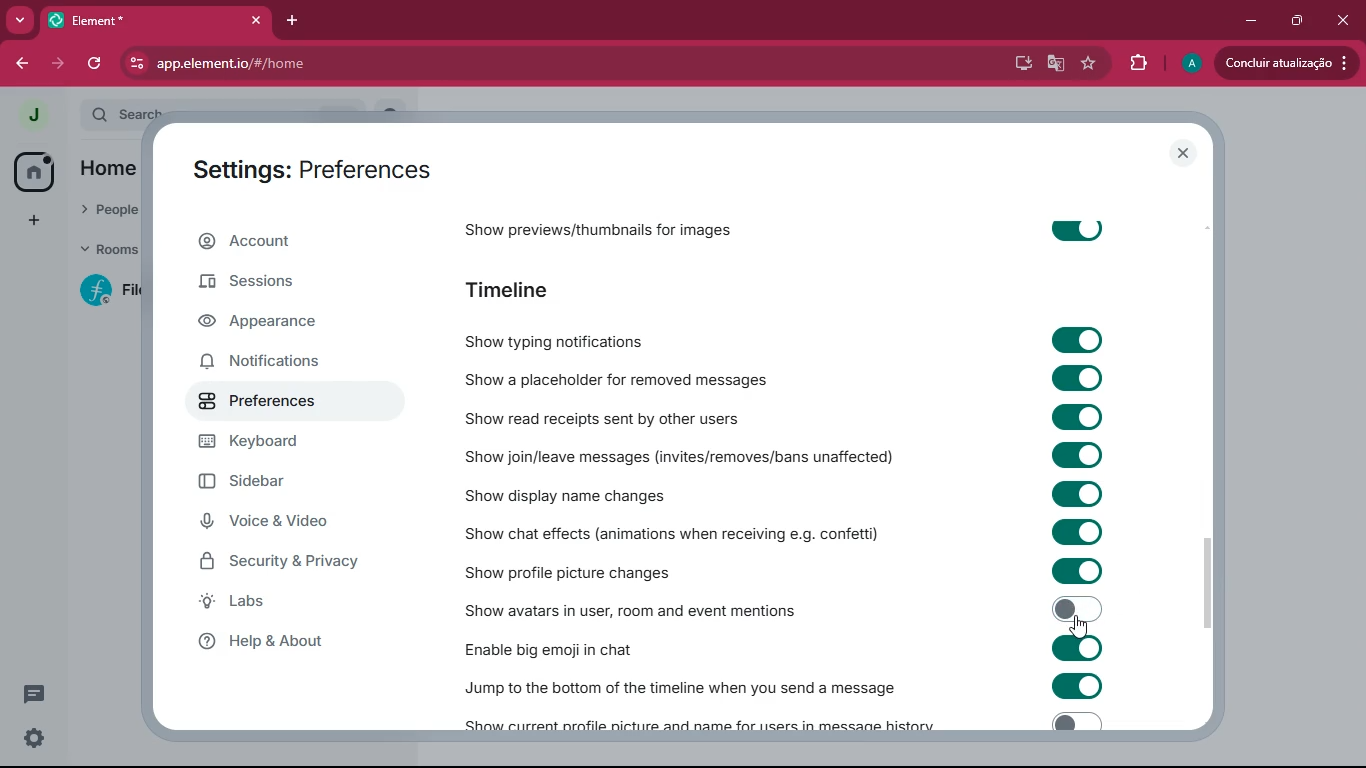 The width and height of the screenshot is (1366, 768). Describe the element at coordinates (281, 485) in the screenshot. I see `sidebar` at that location.